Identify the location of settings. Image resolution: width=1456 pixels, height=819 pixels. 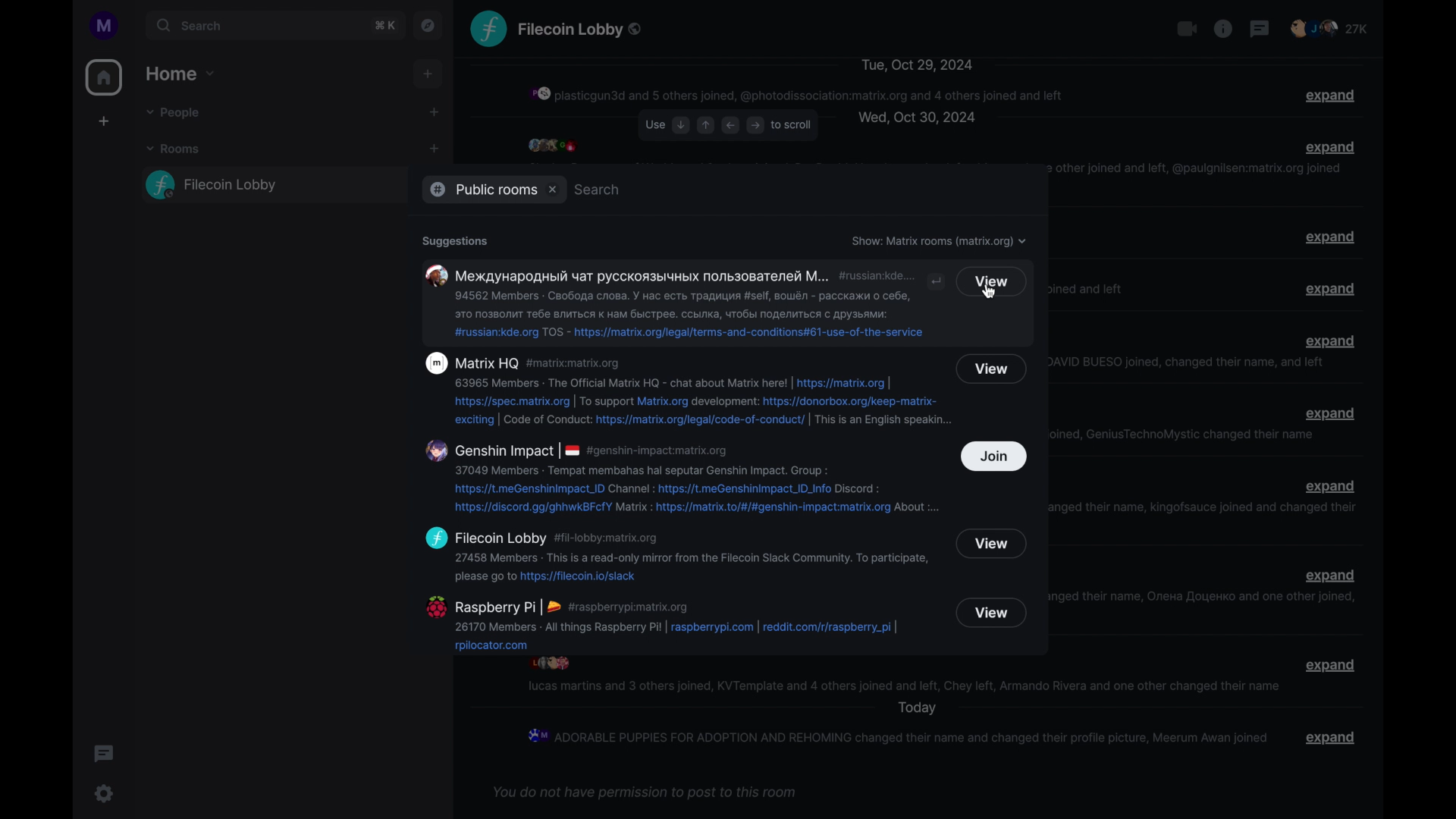
(105, 793).